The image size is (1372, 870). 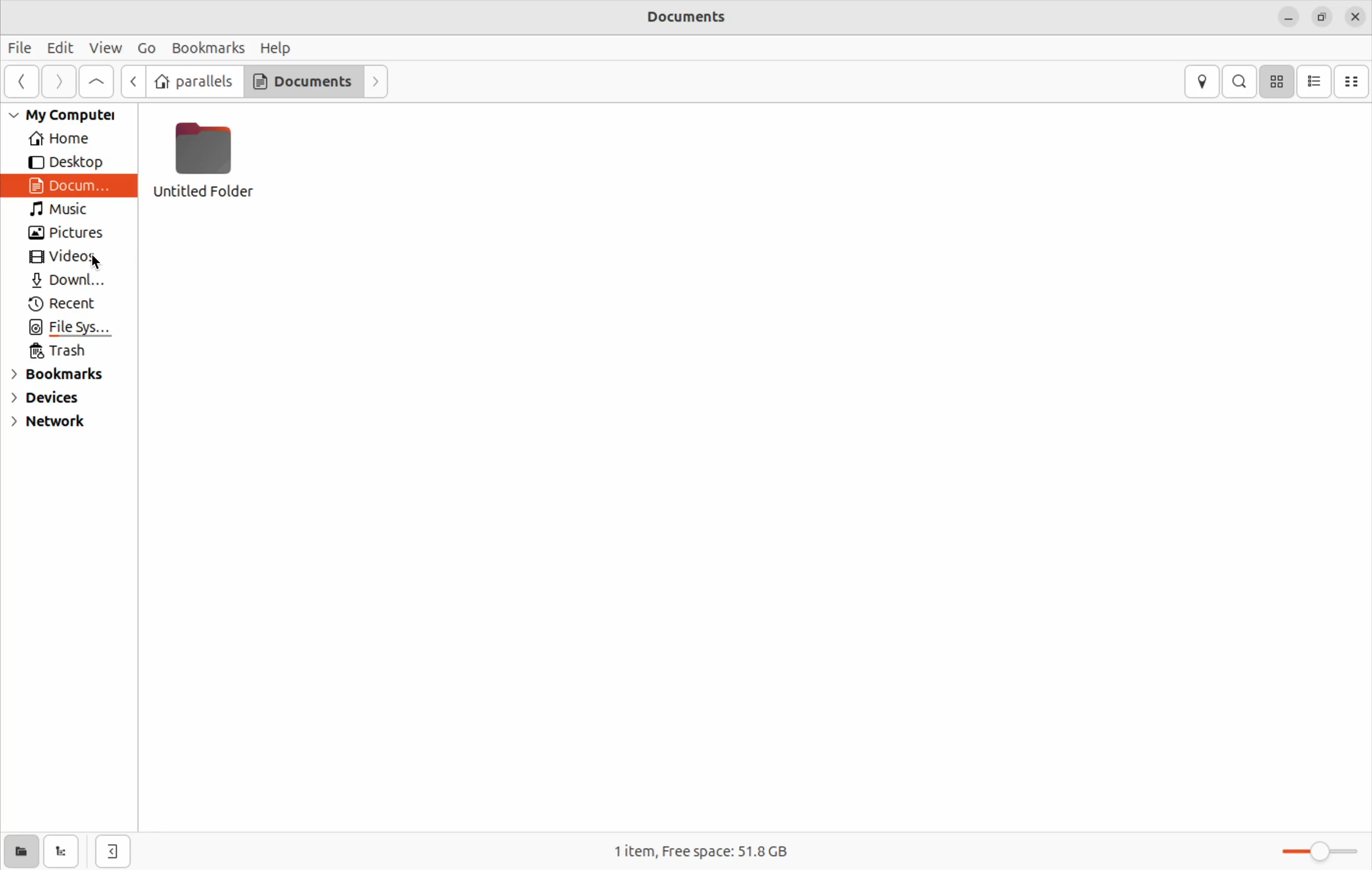 What do you see at coordinates (67, 306) in the screenshot?
I see `Recent` at bounding box center [67, 306].